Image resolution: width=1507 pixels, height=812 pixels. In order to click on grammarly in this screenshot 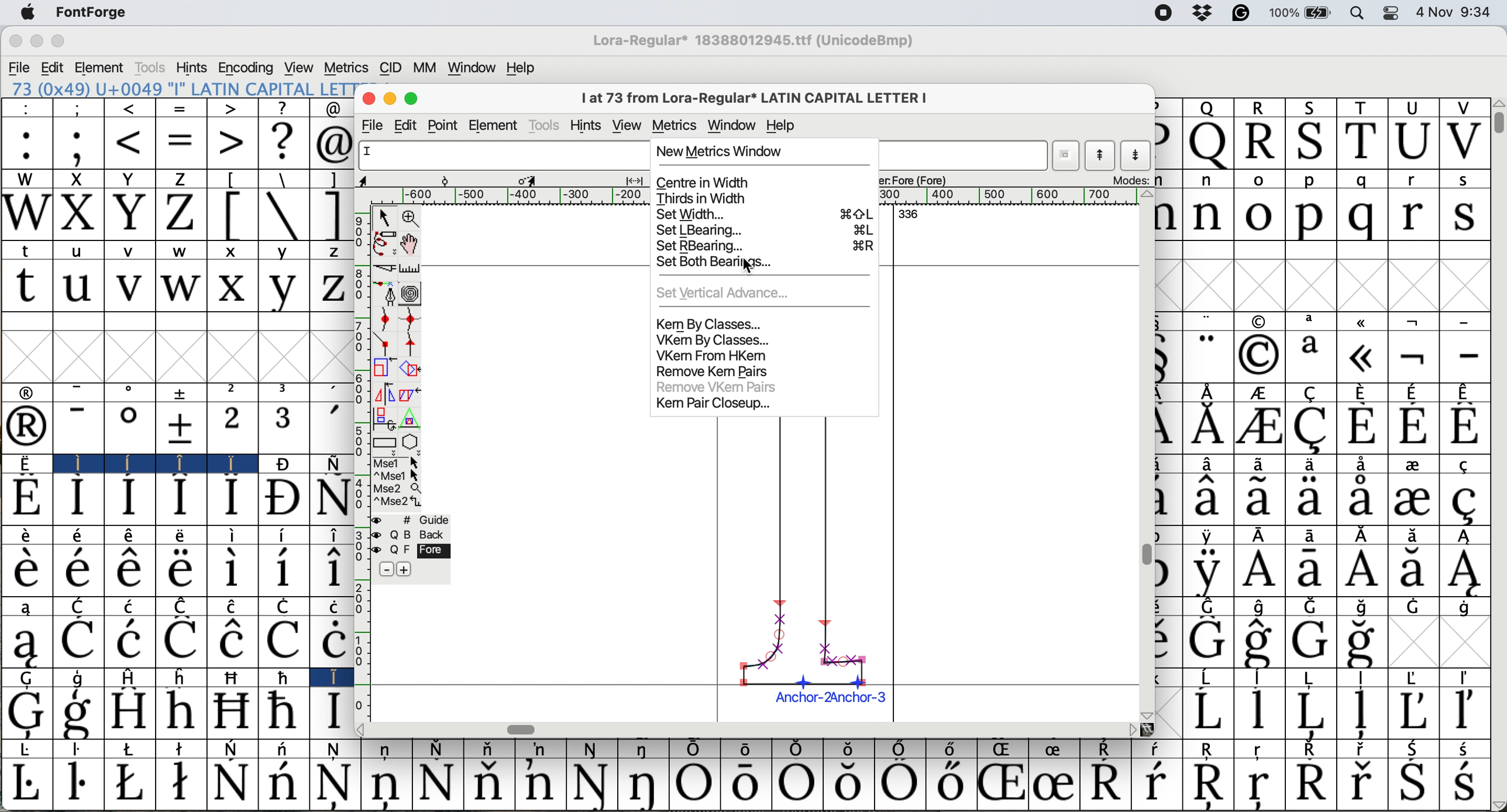, I will do `click(1246, 14)`.